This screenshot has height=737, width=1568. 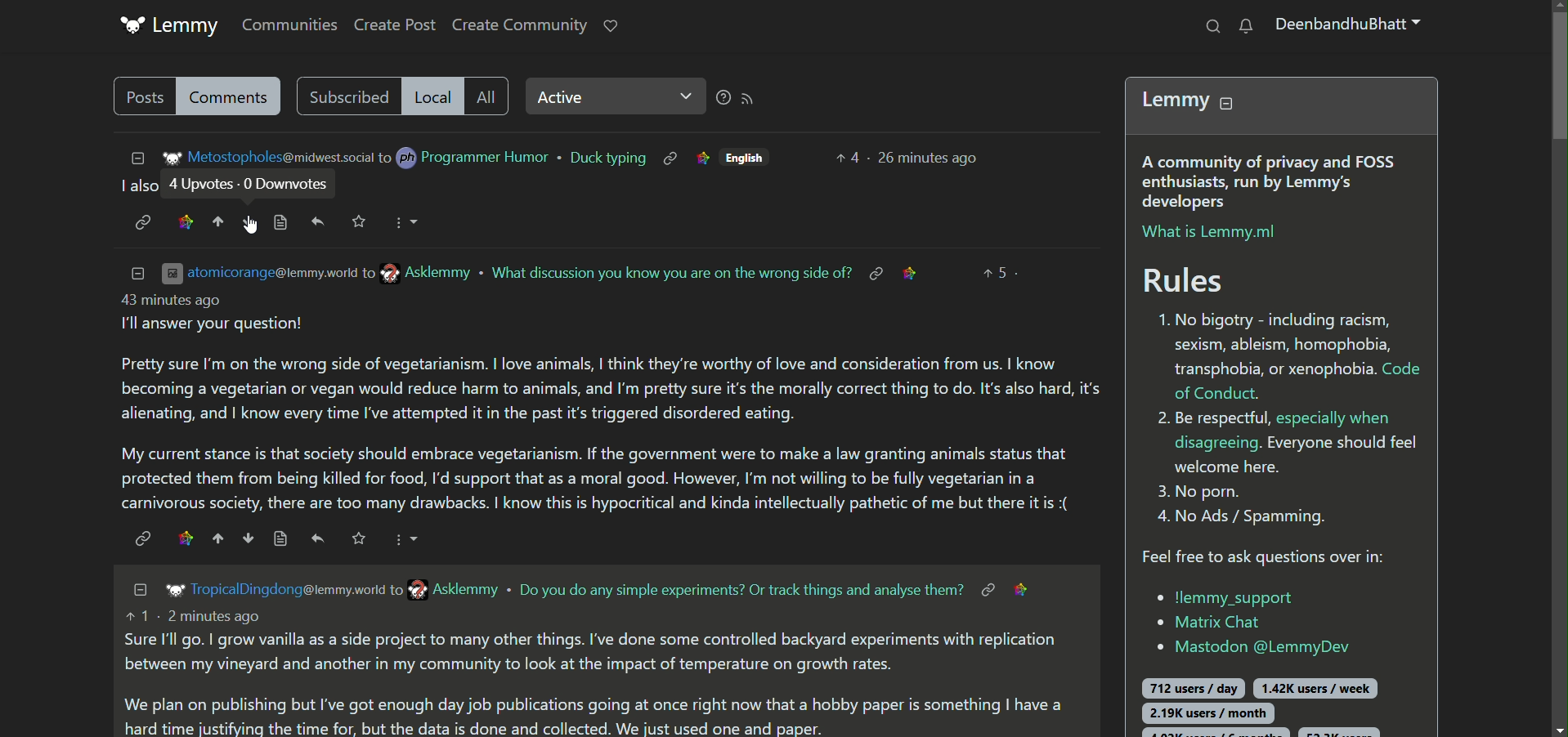 What do you see at coordinates (431, 96) in the screenshot?
I see `comment type` at bounding box center [431, 96].